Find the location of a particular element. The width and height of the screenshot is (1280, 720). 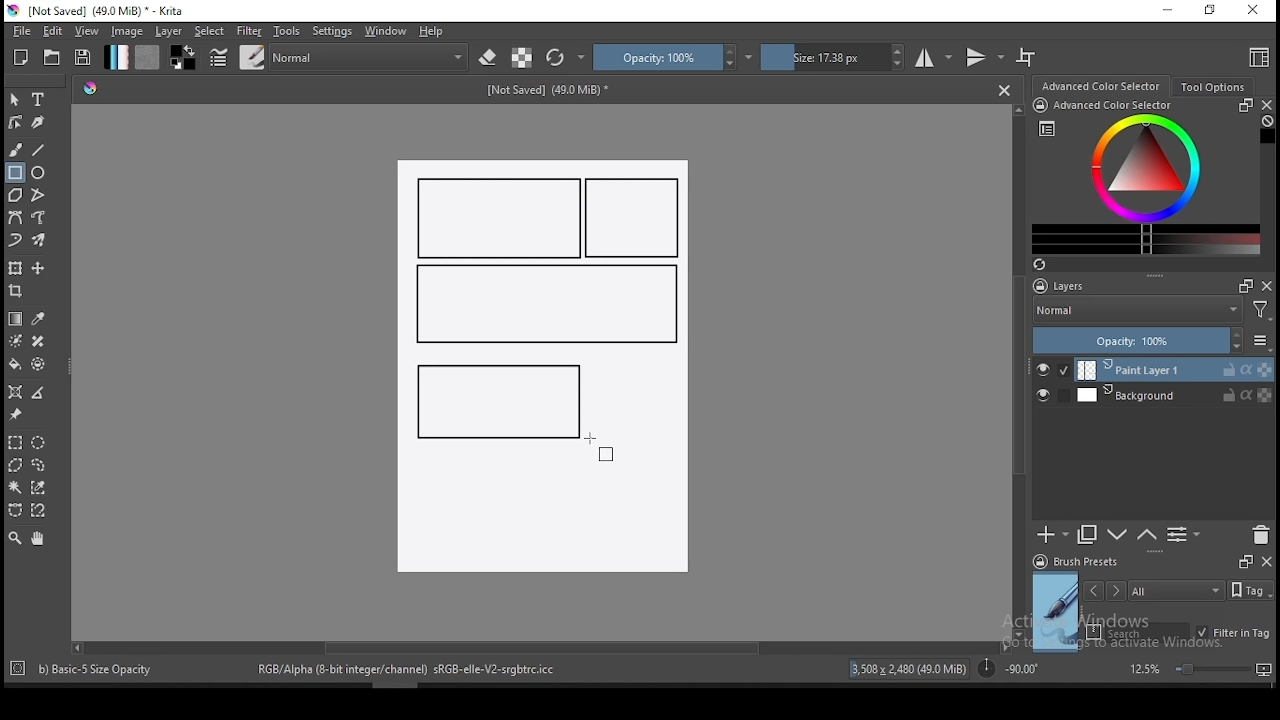

open is located at coordinates (52, 57).